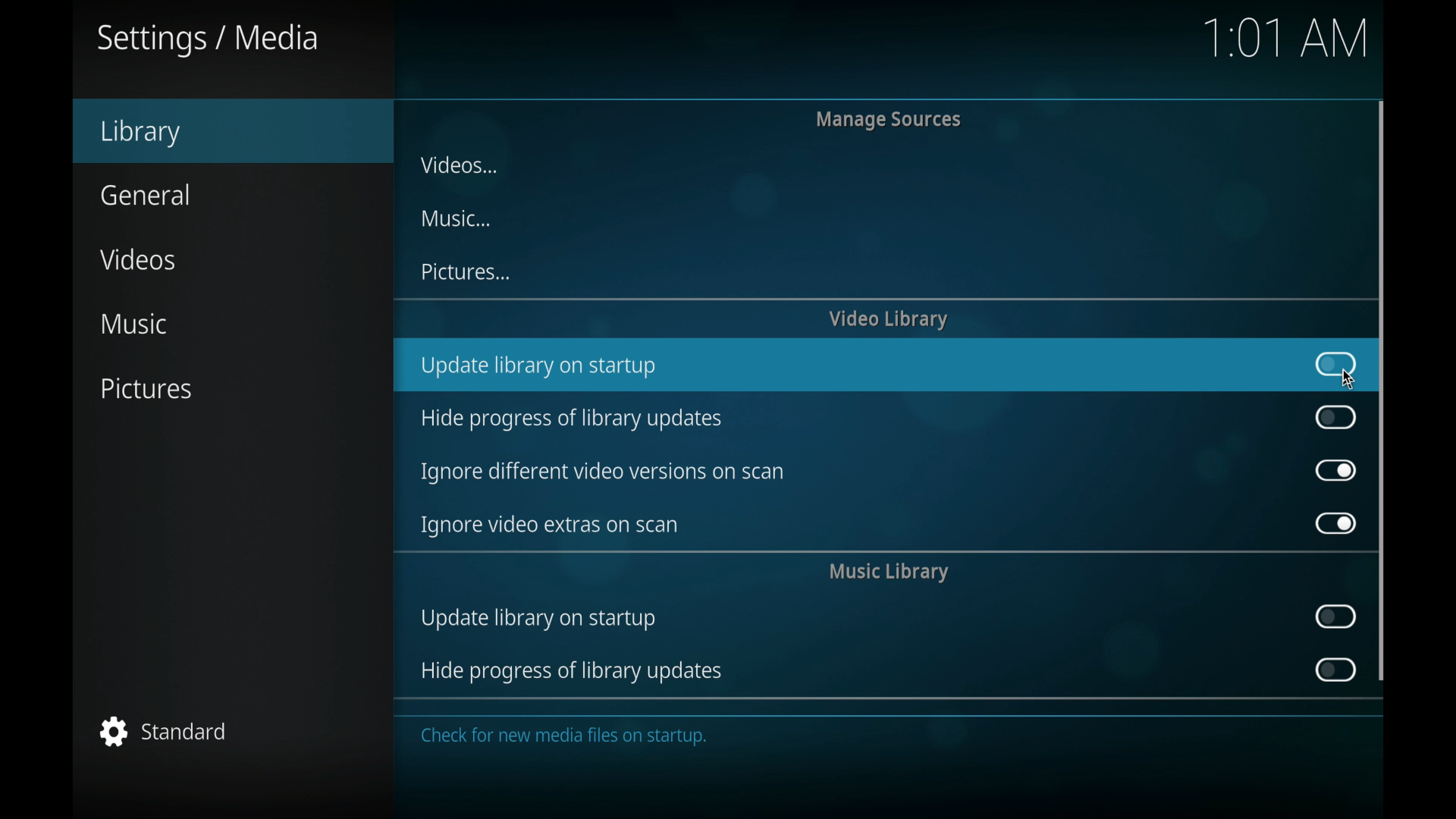 This screenshot has height=819, width=1456. I want to click on toggle button, so click(1336, 523).